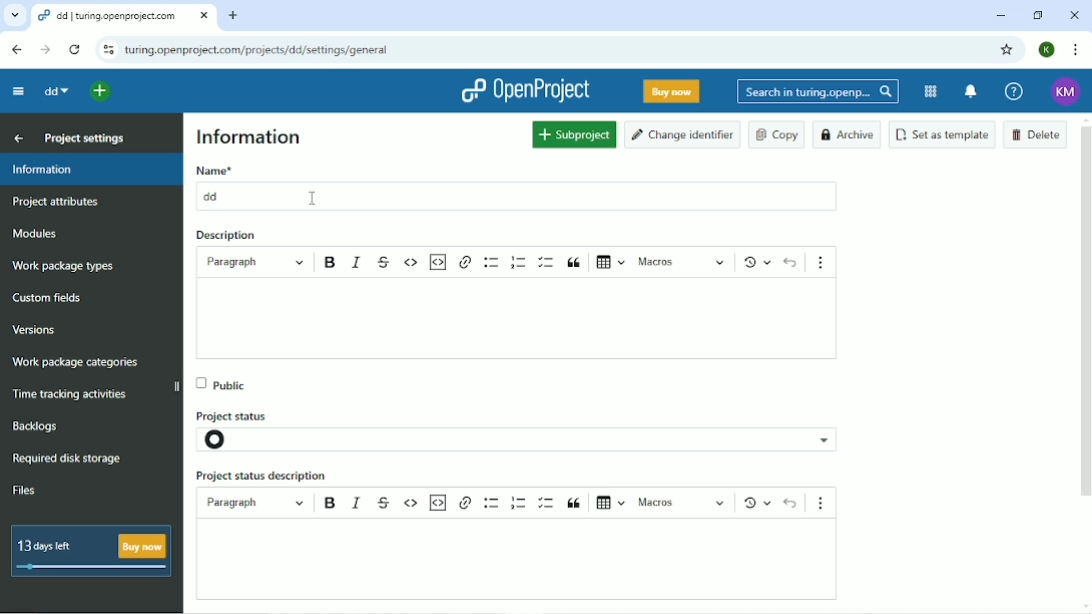 This screenshot has height=614, width=1092. What do you see at coordinates (92, 552) in the screenshot?
I see `13 days left buy now` at bounding box center [92, 552].